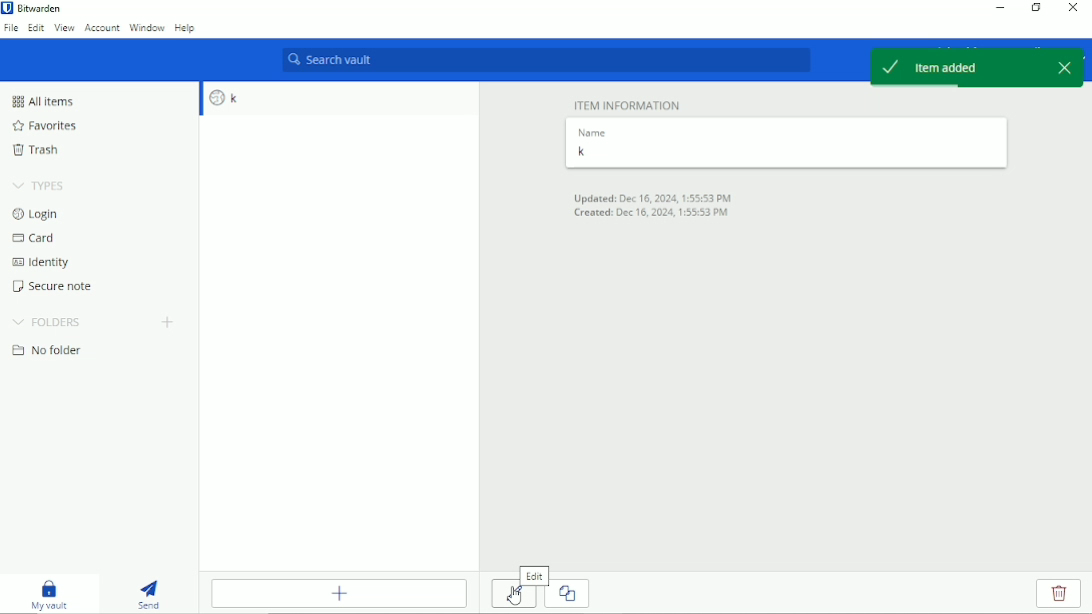 The width and height of the screenshot is (1092, 614). Describe the element at coordinates (146, 28) in the screenshot. I see `Window` at that location.